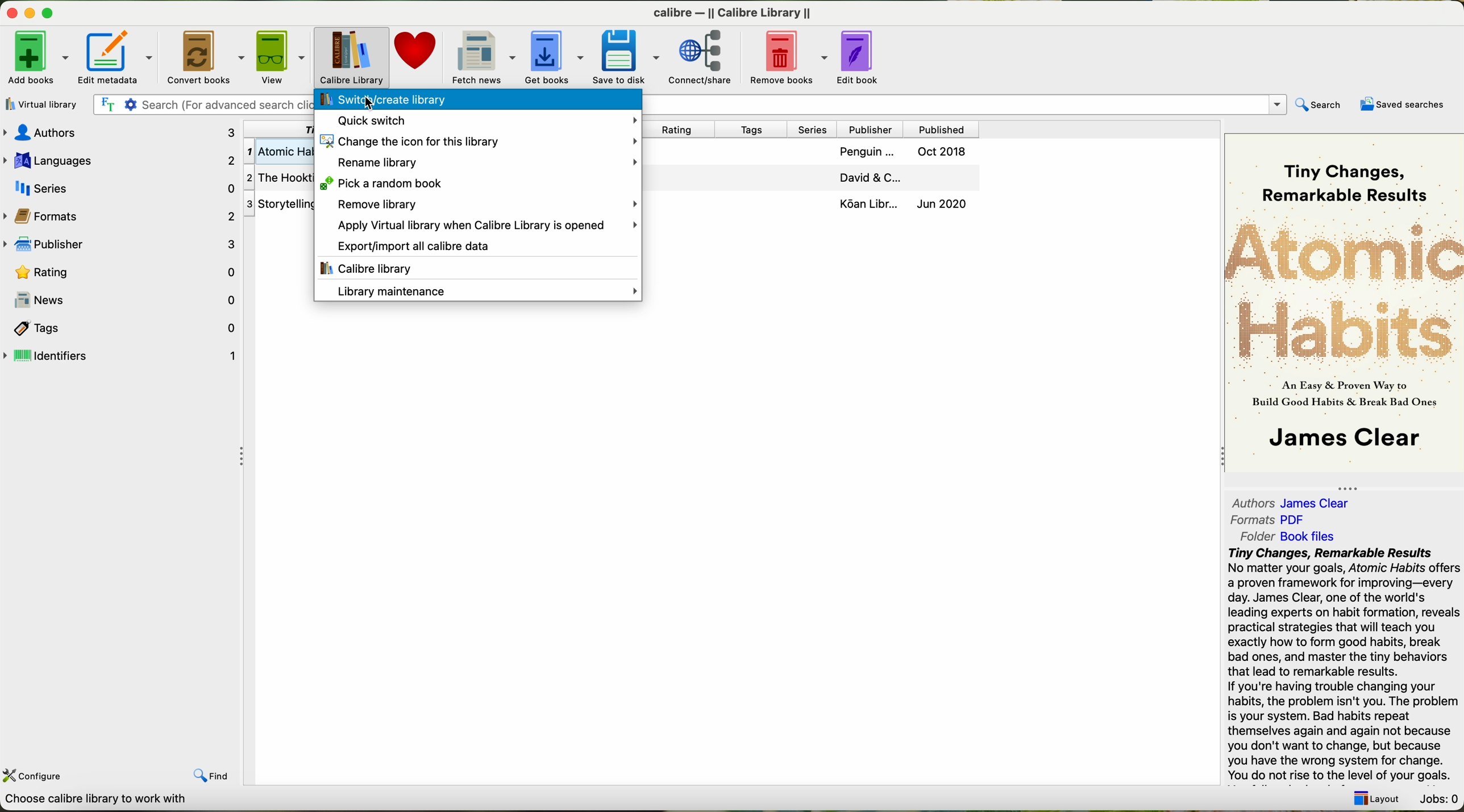 Image resolution: width=1464 pixels, height=812 pixels. Describe the element at coordinates (900, 152) in the screenshot. I see `penguin... Oct 2018` at that location.